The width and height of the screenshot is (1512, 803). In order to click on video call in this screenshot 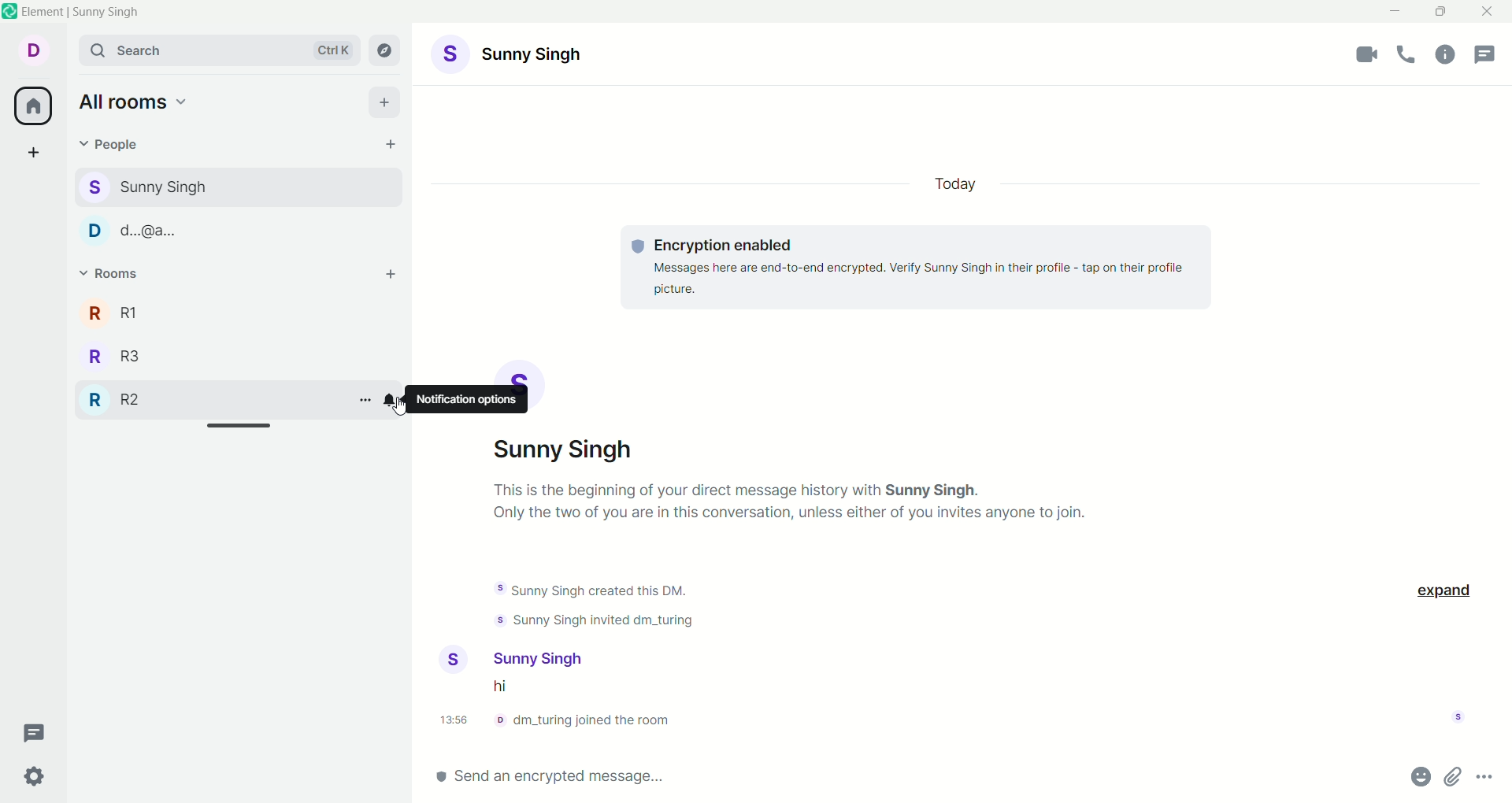, I will do `click(1367, 57)`.